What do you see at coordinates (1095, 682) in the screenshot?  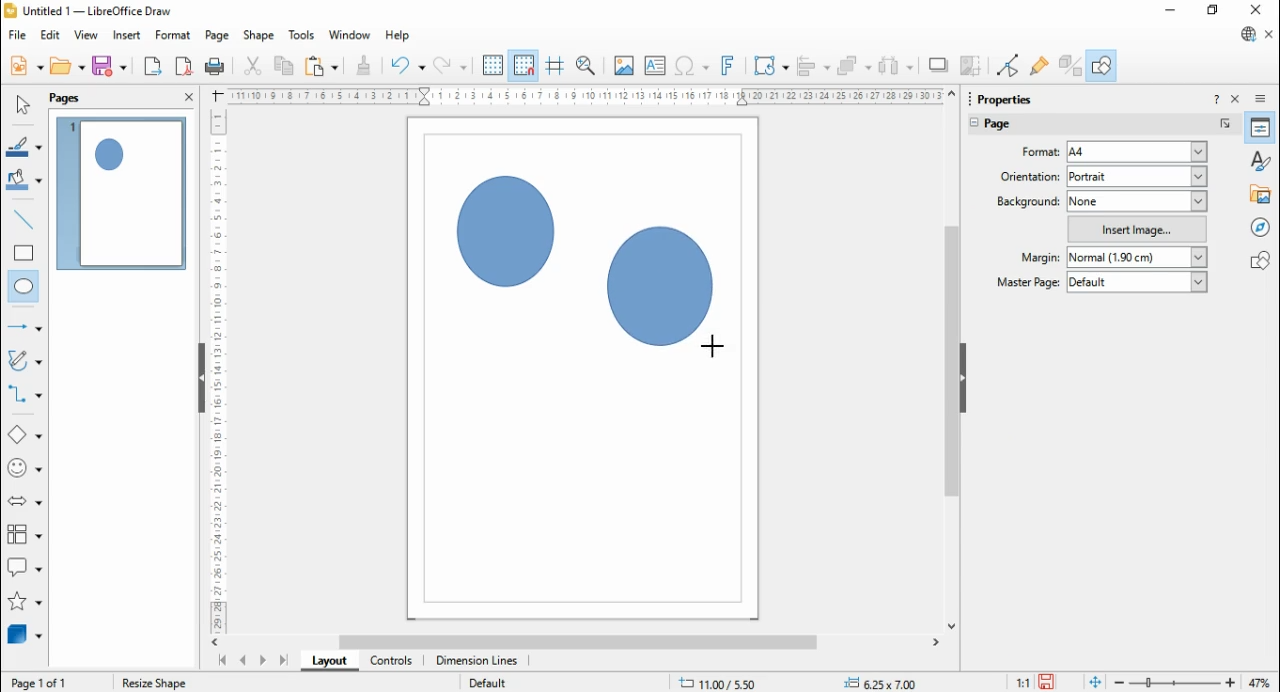 I see `fir page to current window` at bounding box center [1095, 682].